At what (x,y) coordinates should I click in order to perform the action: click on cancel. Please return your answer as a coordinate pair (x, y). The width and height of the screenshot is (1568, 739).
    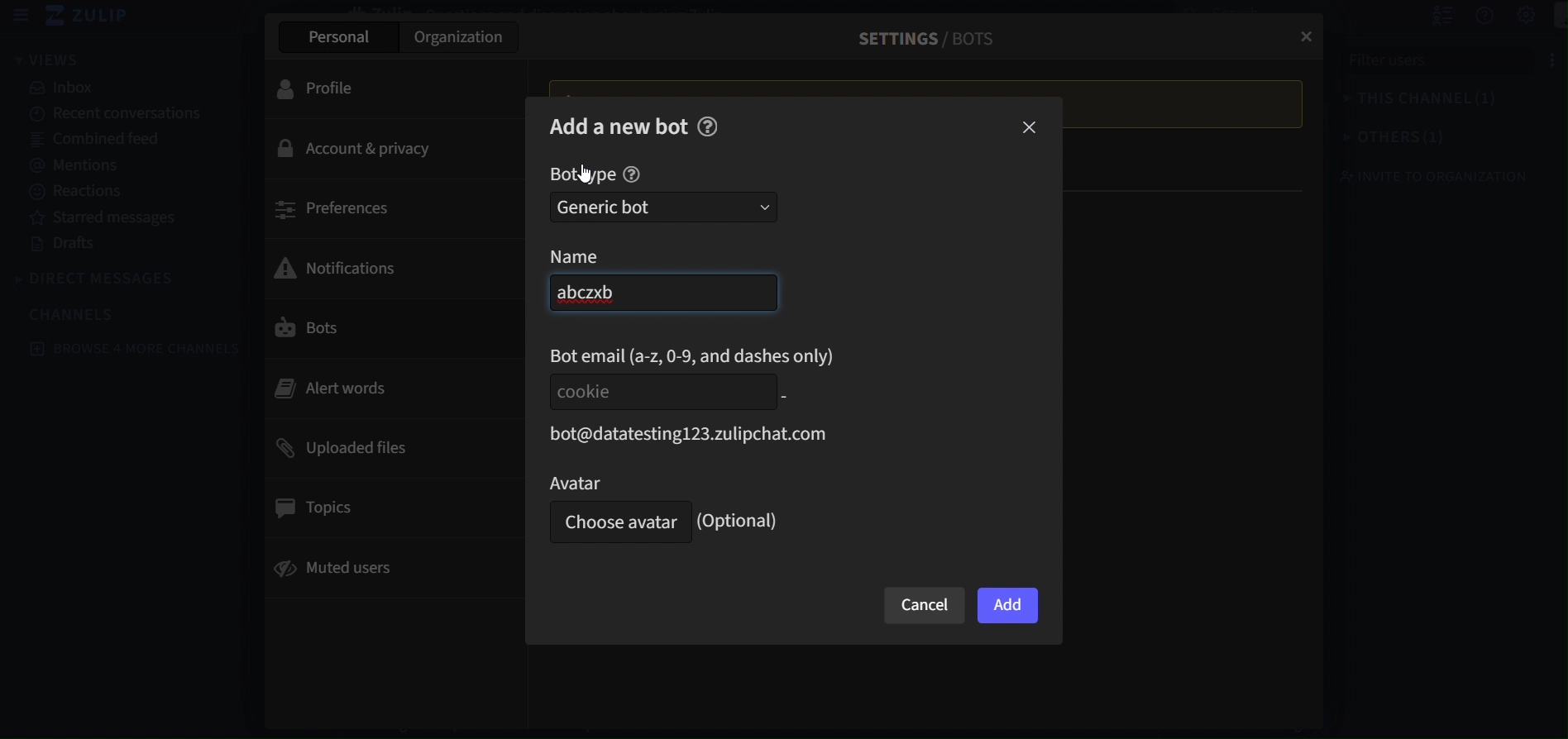
    Looking at the image, I should click on (925, 606).